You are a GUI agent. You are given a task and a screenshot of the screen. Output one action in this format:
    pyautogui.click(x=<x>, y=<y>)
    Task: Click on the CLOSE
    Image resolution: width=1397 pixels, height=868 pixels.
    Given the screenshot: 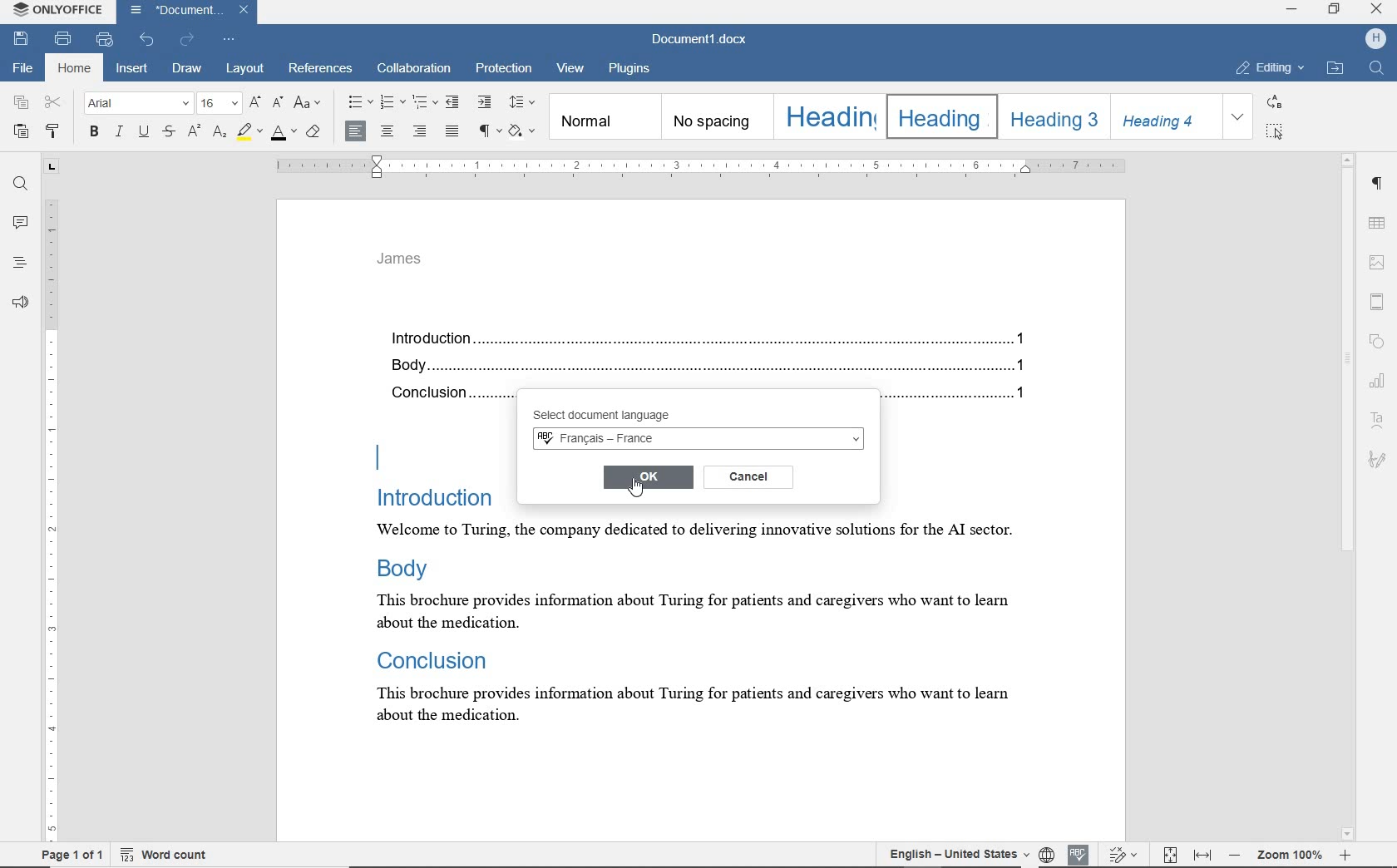 What is the action you would take?
    pyautogui.click(x=1375, y=9)
    